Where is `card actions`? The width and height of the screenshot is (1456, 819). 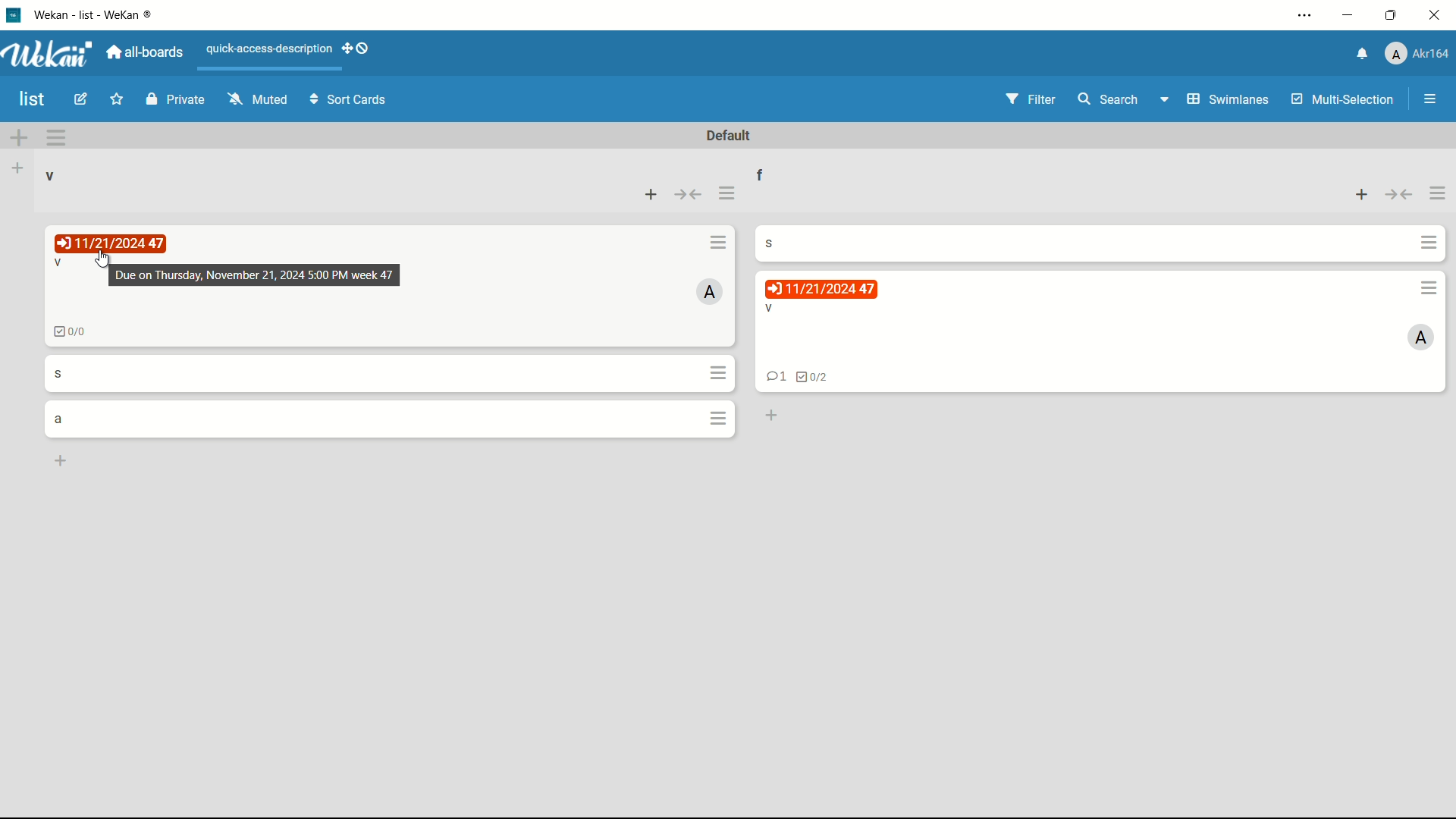
card actions is located at coordinates (720, 372).